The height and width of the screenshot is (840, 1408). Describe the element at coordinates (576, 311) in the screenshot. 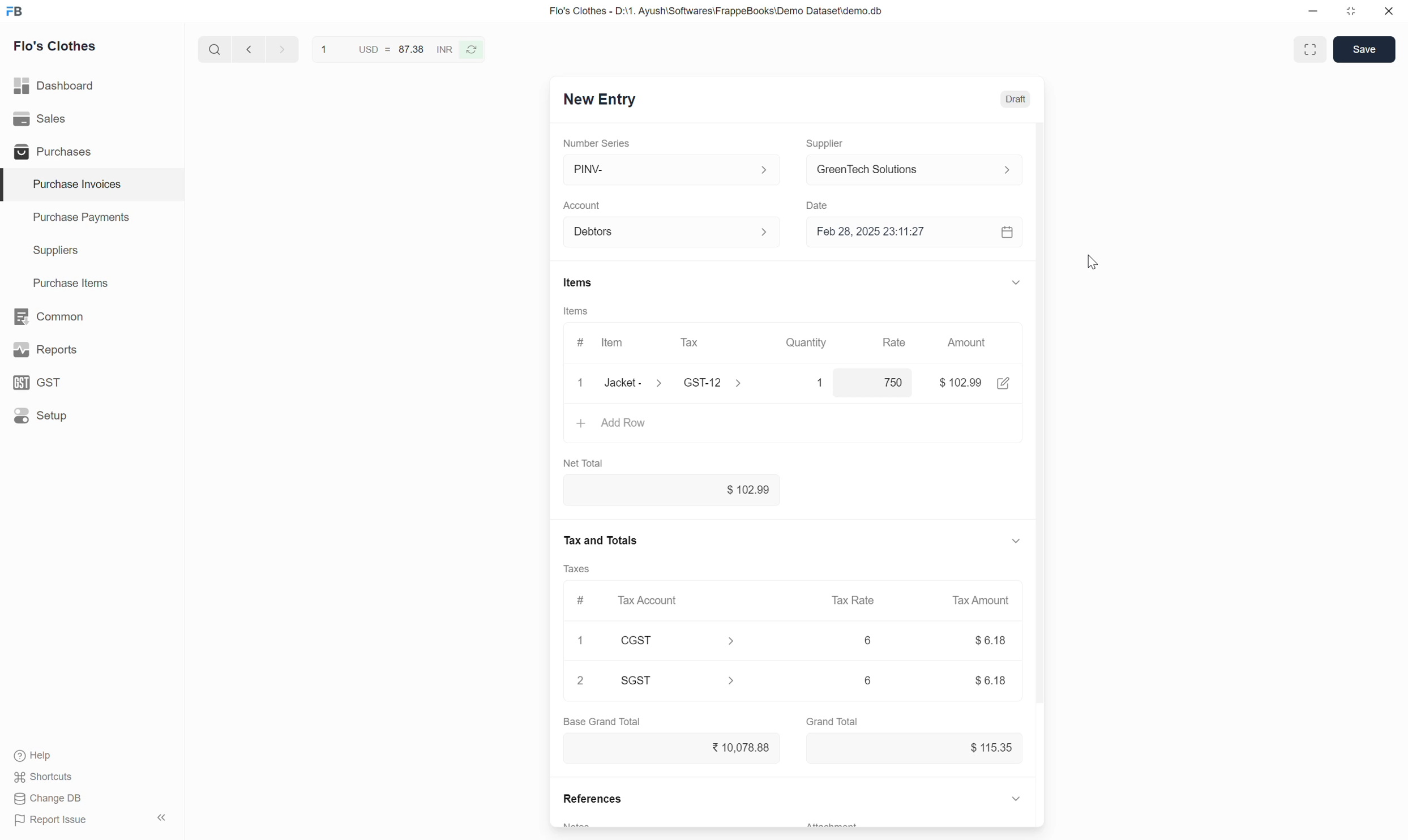

I see `Items` at that location.